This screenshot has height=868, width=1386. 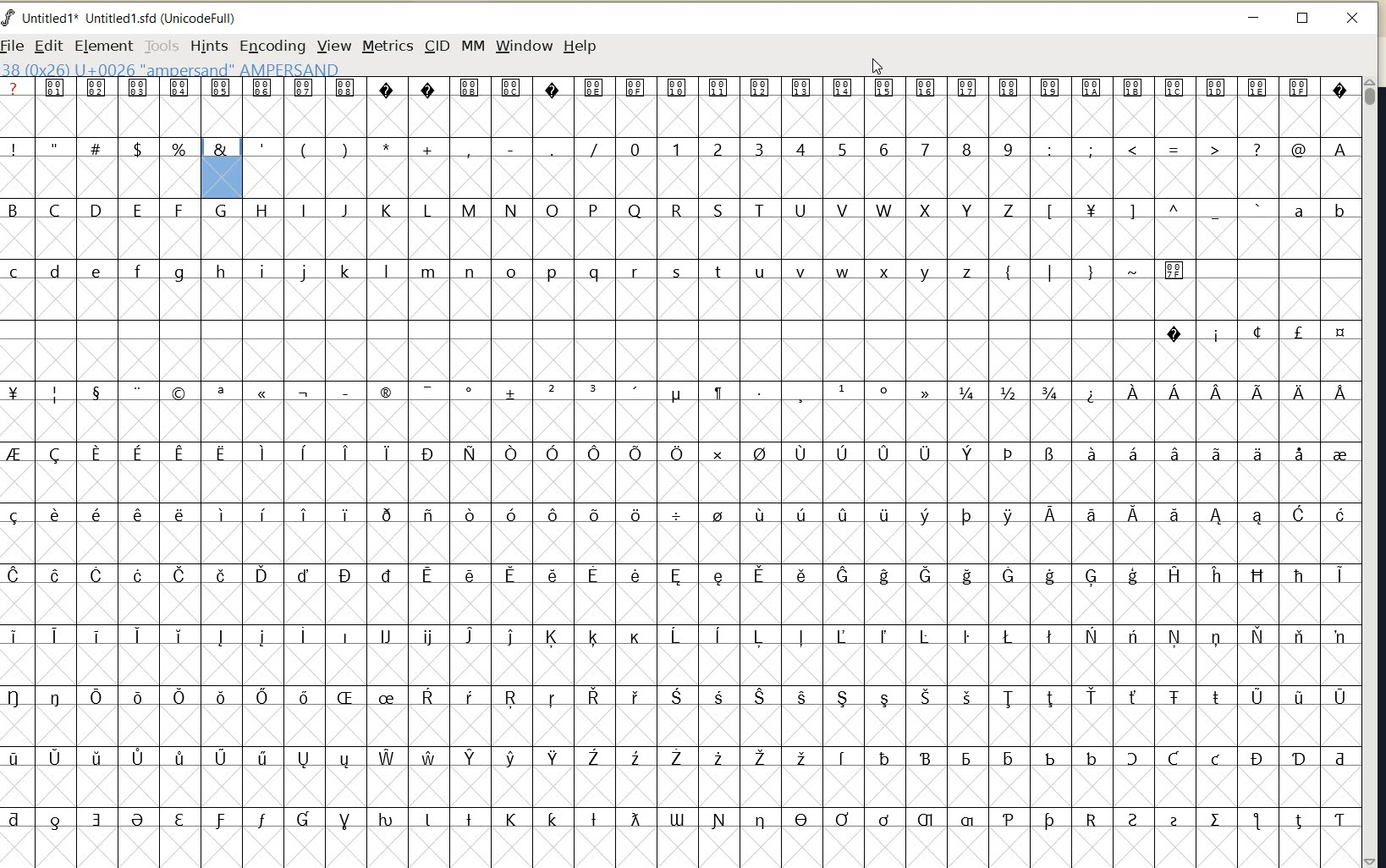 I want to click on VIEW, so click(x=335, y=46).